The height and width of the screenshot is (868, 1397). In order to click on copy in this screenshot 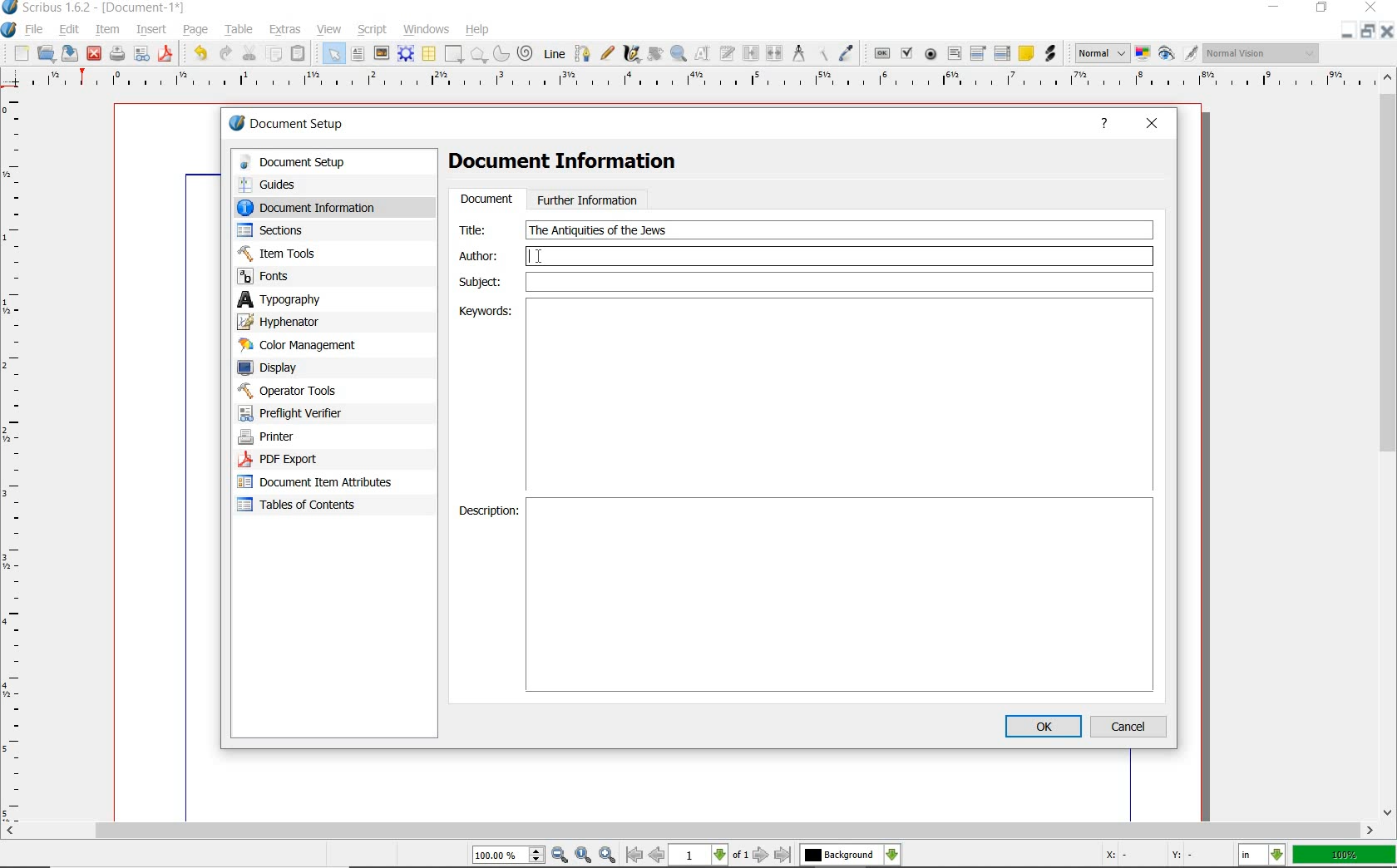, I will do `click(274, 53)`.